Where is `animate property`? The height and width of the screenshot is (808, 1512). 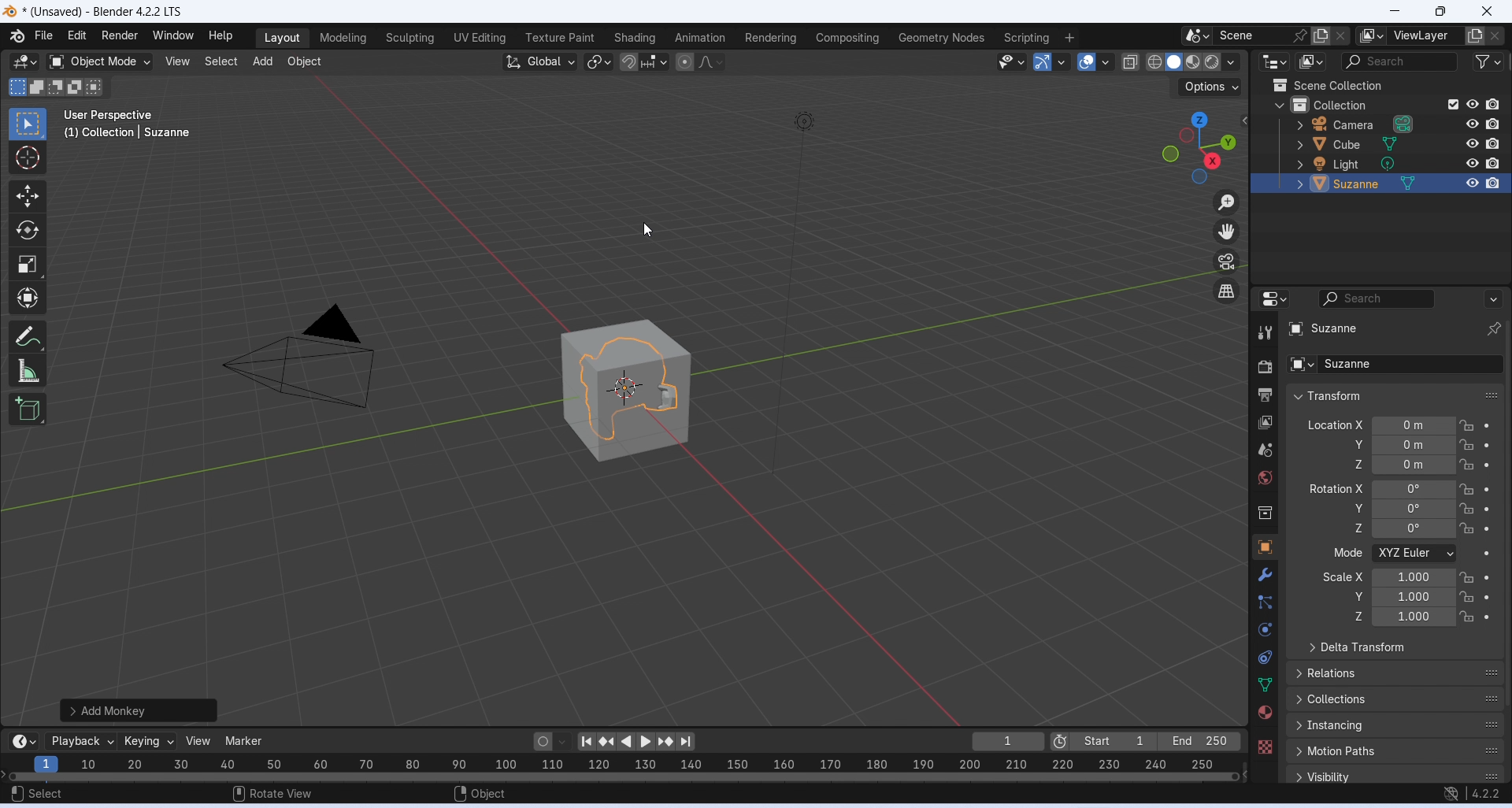 animate property is located at coordinates (1487, 510).